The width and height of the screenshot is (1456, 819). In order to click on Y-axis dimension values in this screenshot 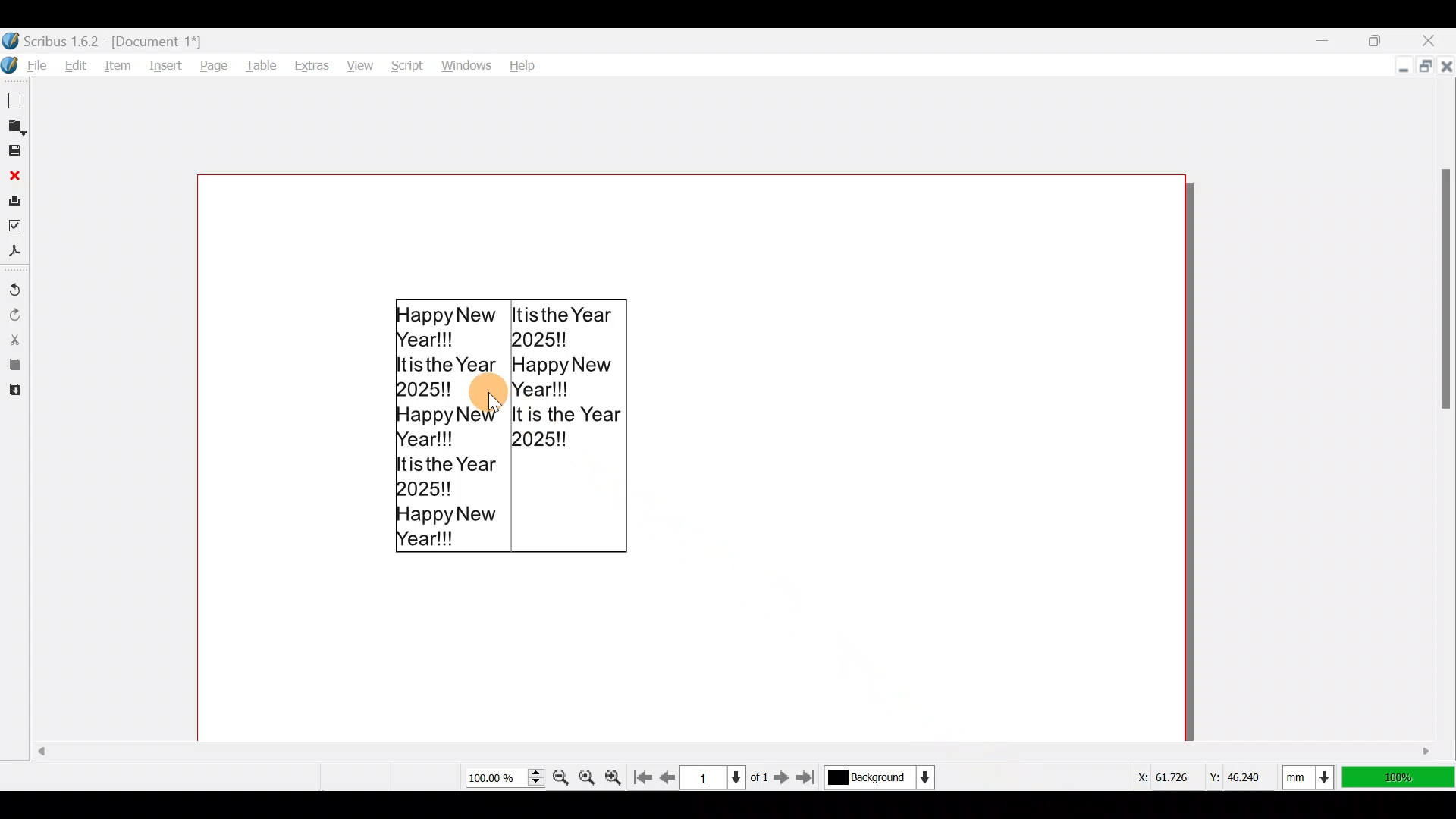, I will do `click(1243, 771)`.